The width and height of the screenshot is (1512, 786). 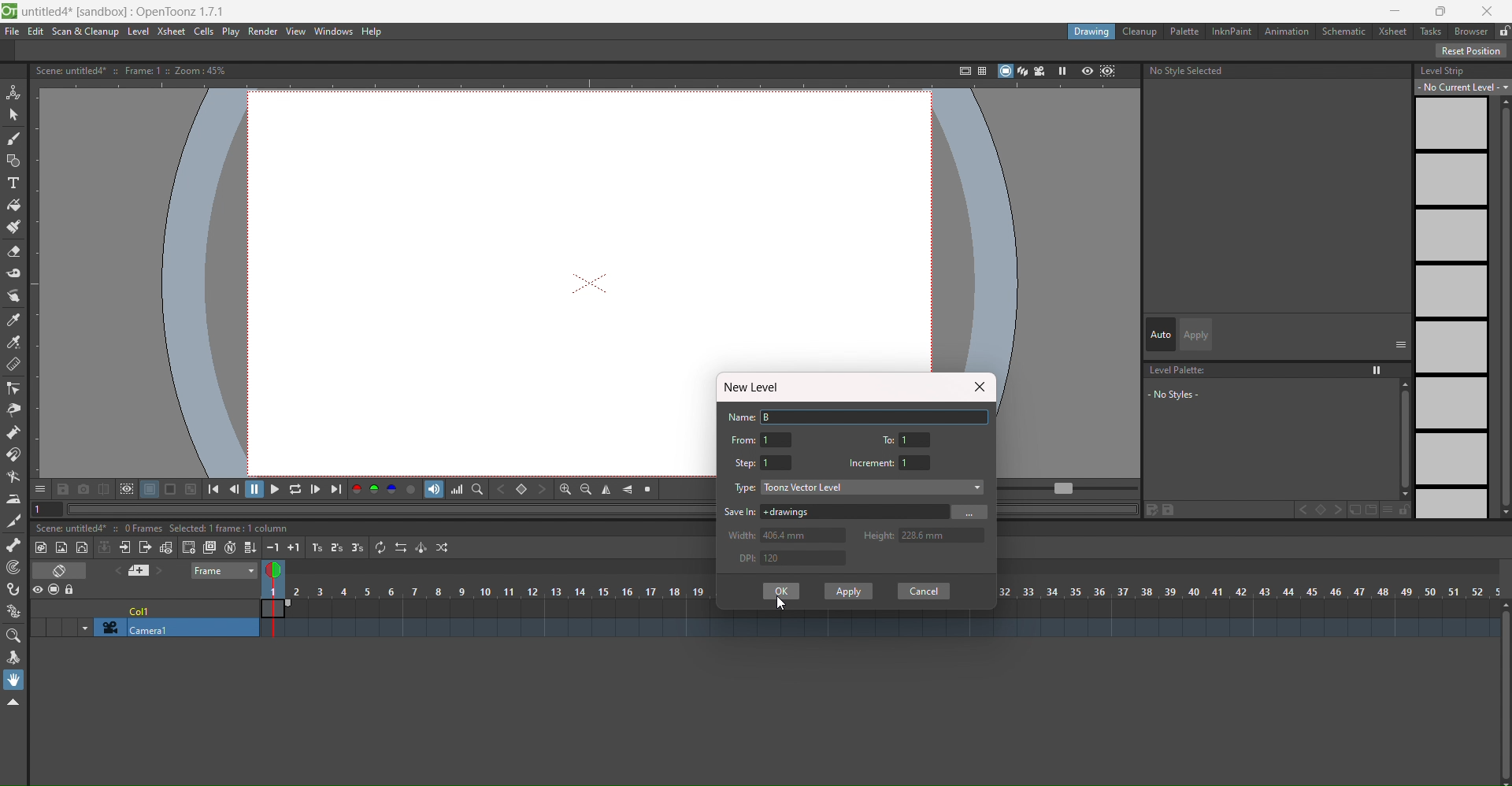 I want to click on cancel, so click(x=924, y=591).